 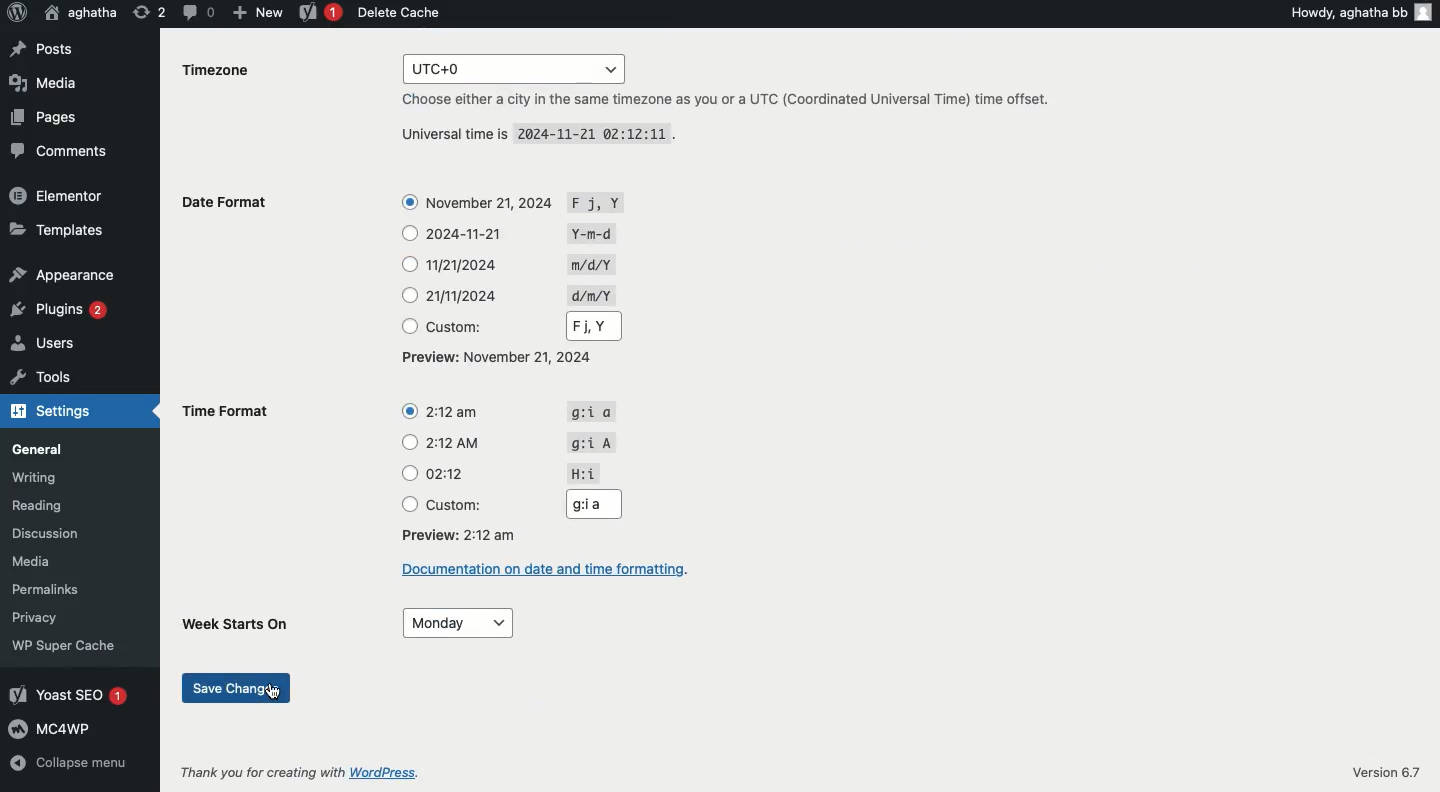 I want to click on Plugins, so click(x=60, y=310).